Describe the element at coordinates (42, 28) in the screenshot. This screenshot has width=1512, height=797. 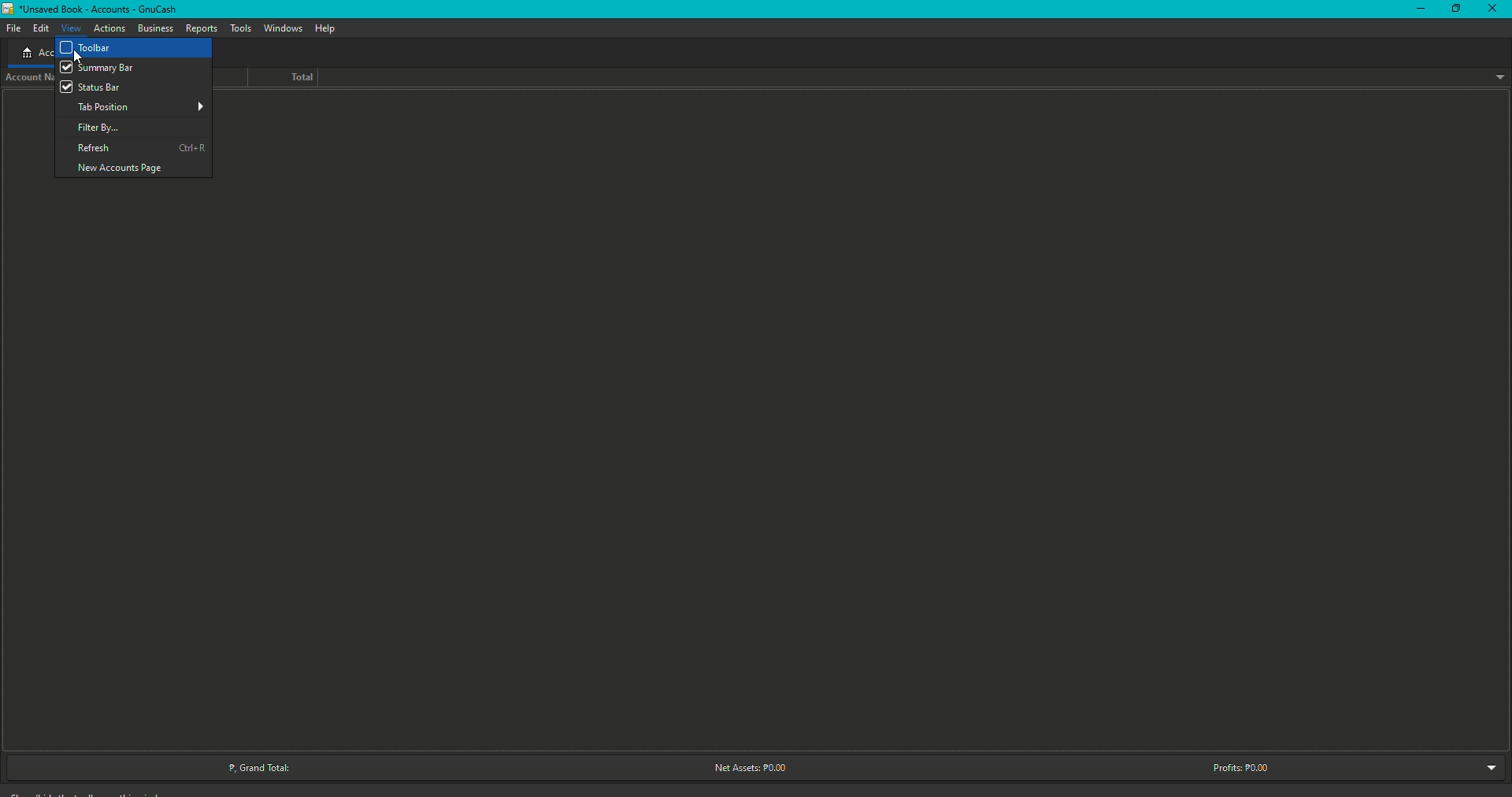
I see `Edit` at that location.